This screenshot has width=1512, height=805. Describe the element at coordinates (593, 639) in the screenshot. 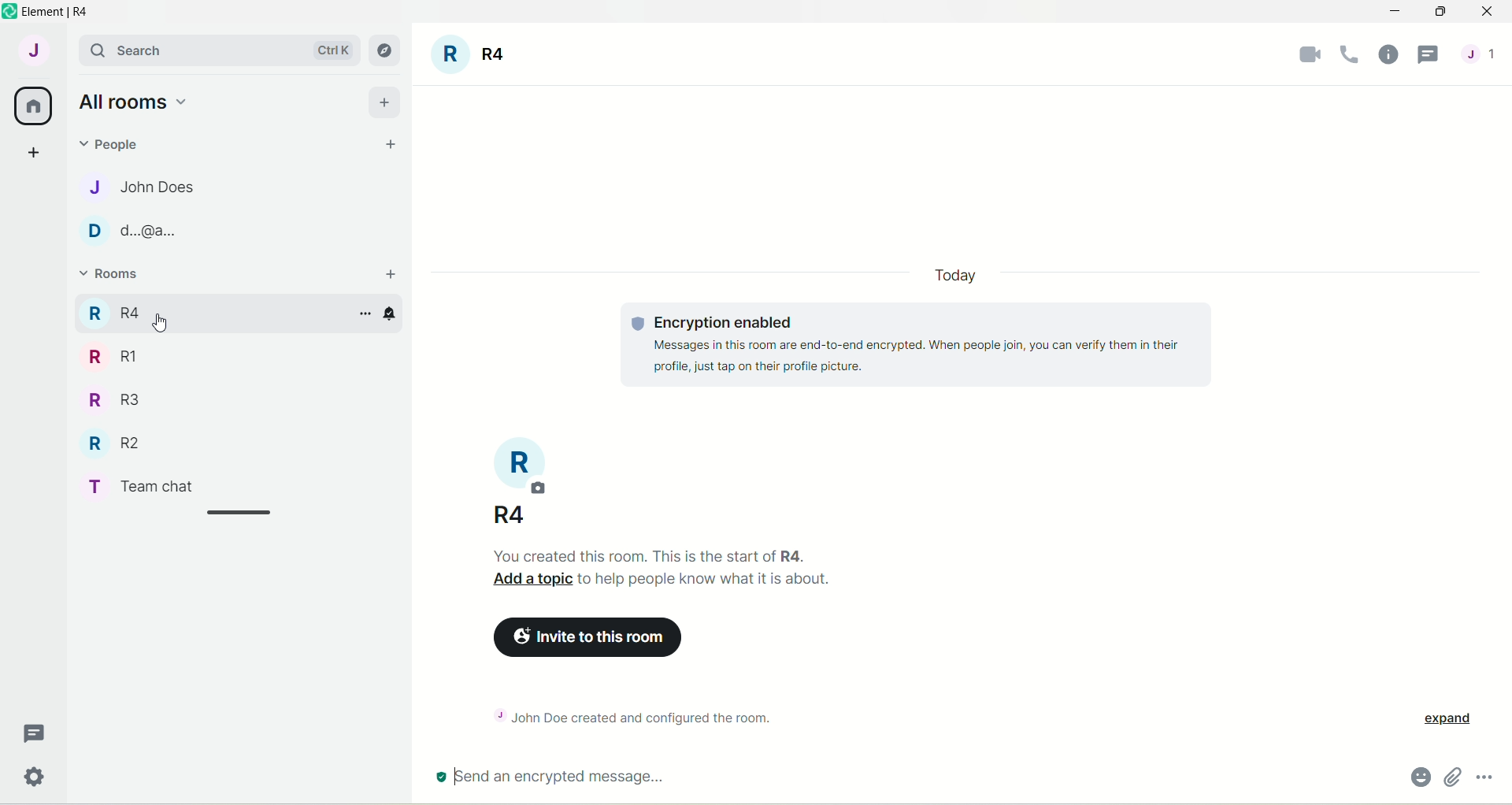

I see `invite to this room` at that location.